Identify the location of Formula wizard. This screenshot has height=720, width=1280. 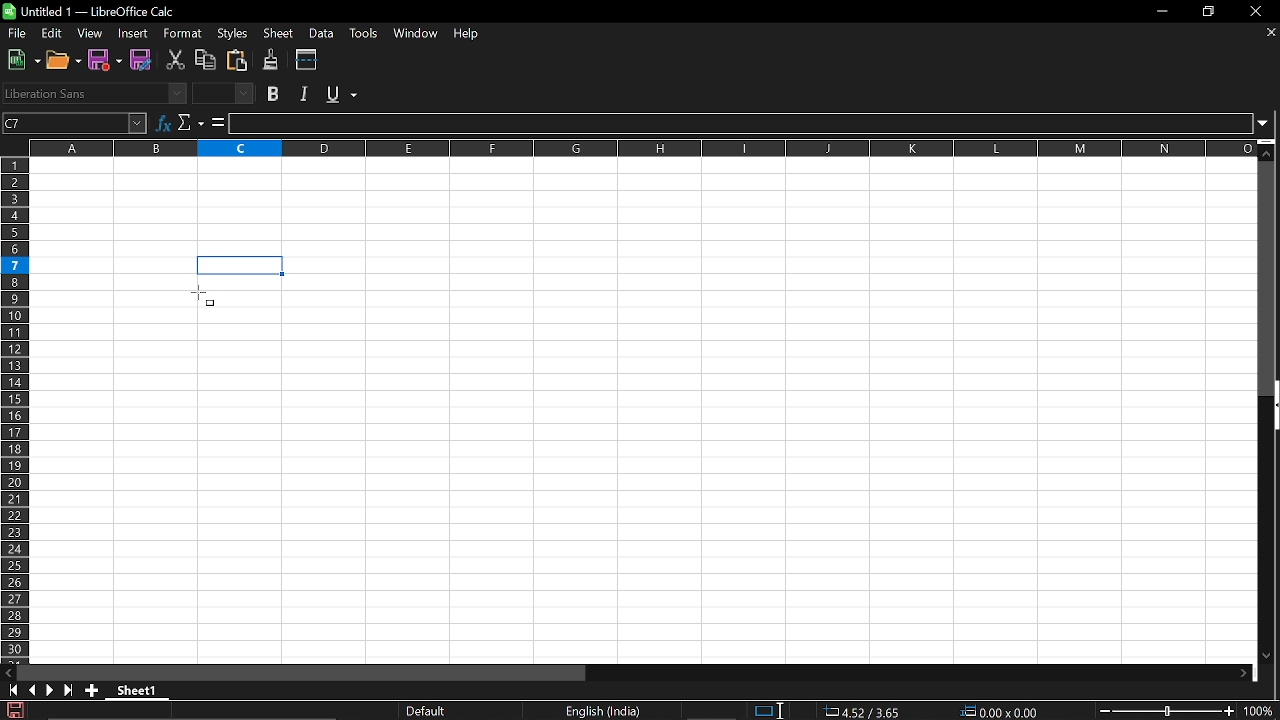
(163, 121).